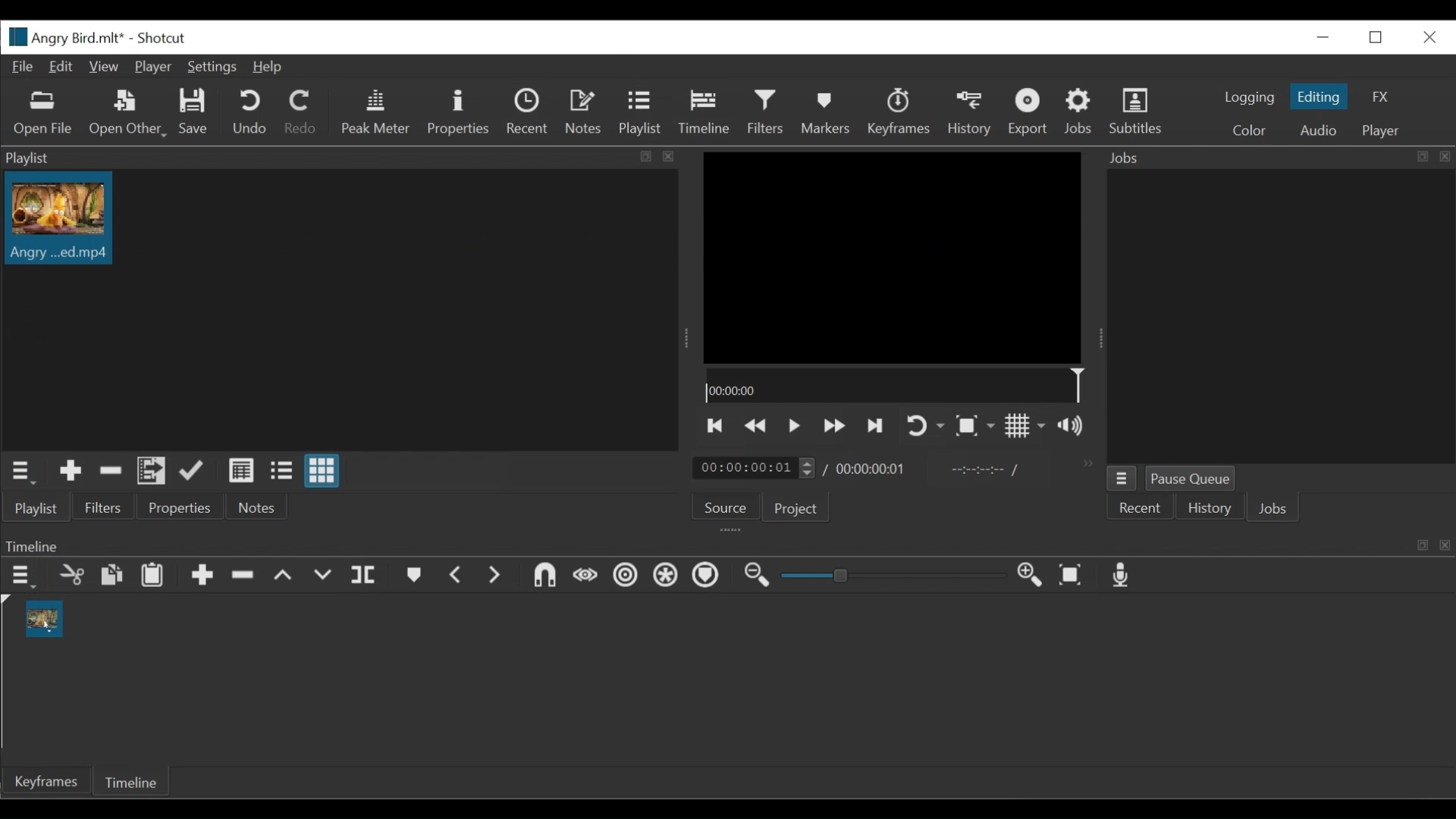 The height and width of the screenshot is (819, 1456). Describe the element at coordinates (874, 470) in the screenshot. I see `Total Duration` at that location.